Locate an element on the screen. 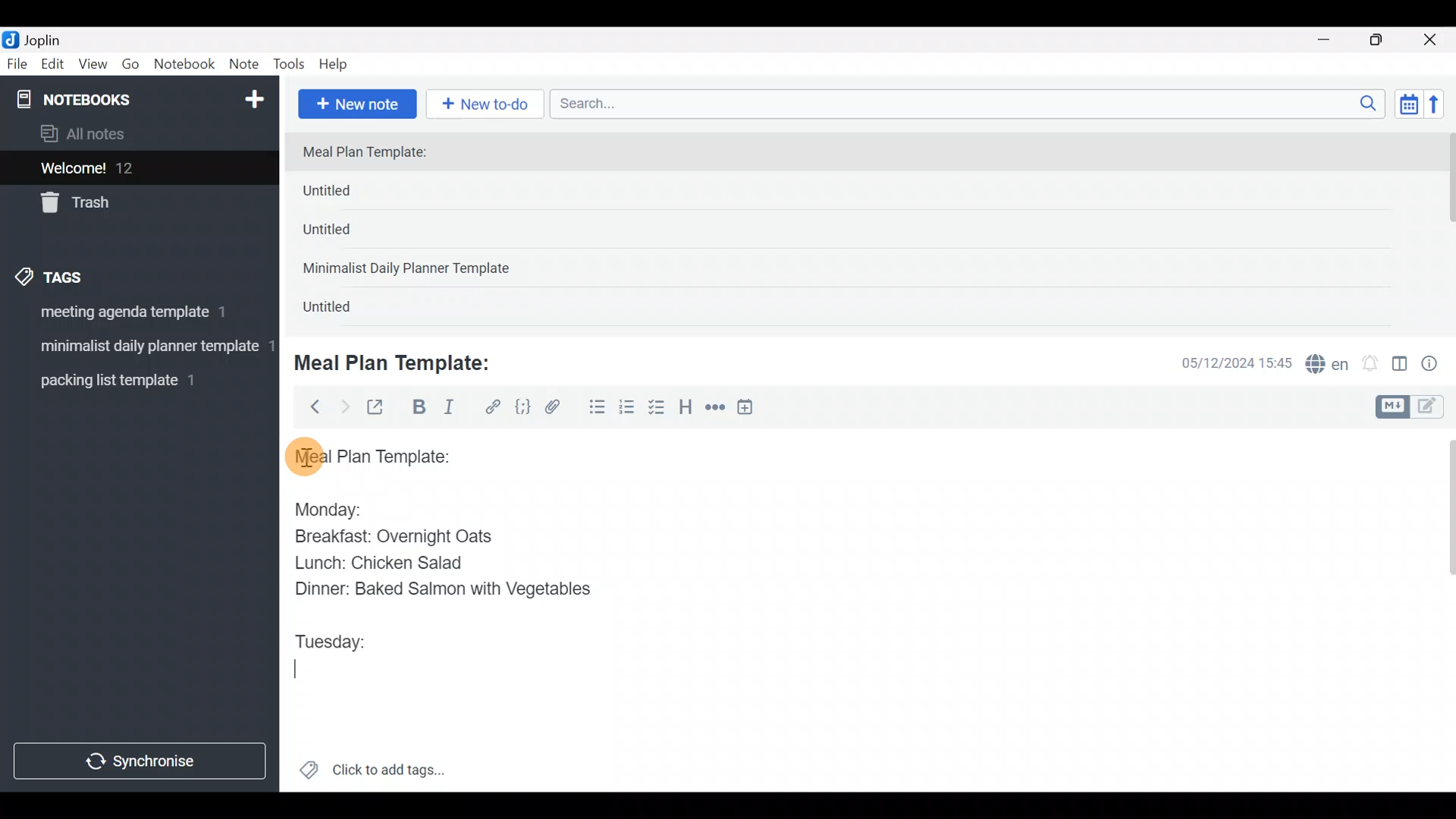 The height and width of the screenshot is (819, 1456). Tools is located at coordinates (290, 65).